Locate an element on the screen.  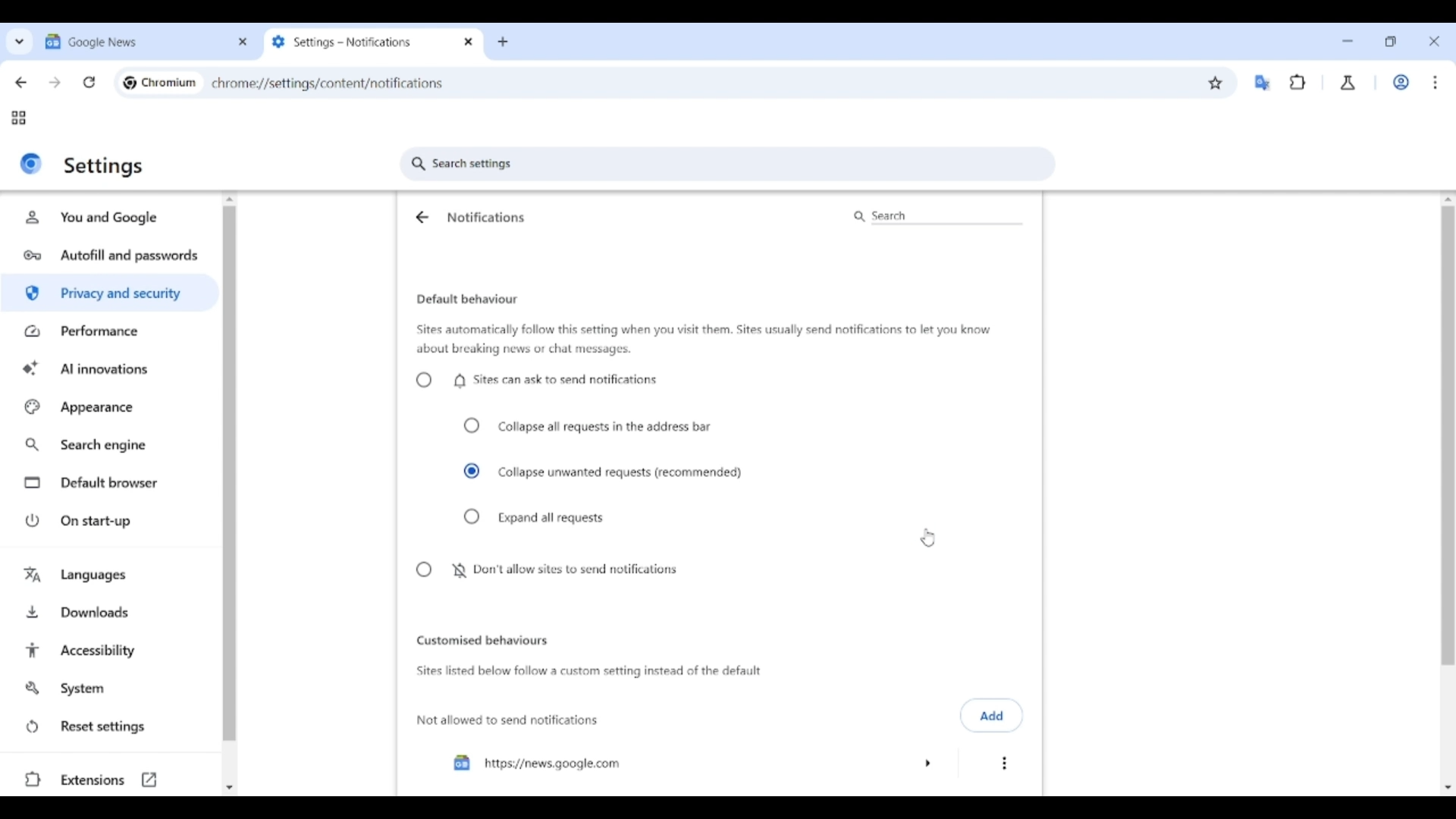
Quick slide to top is located at coordinates (230, 199).